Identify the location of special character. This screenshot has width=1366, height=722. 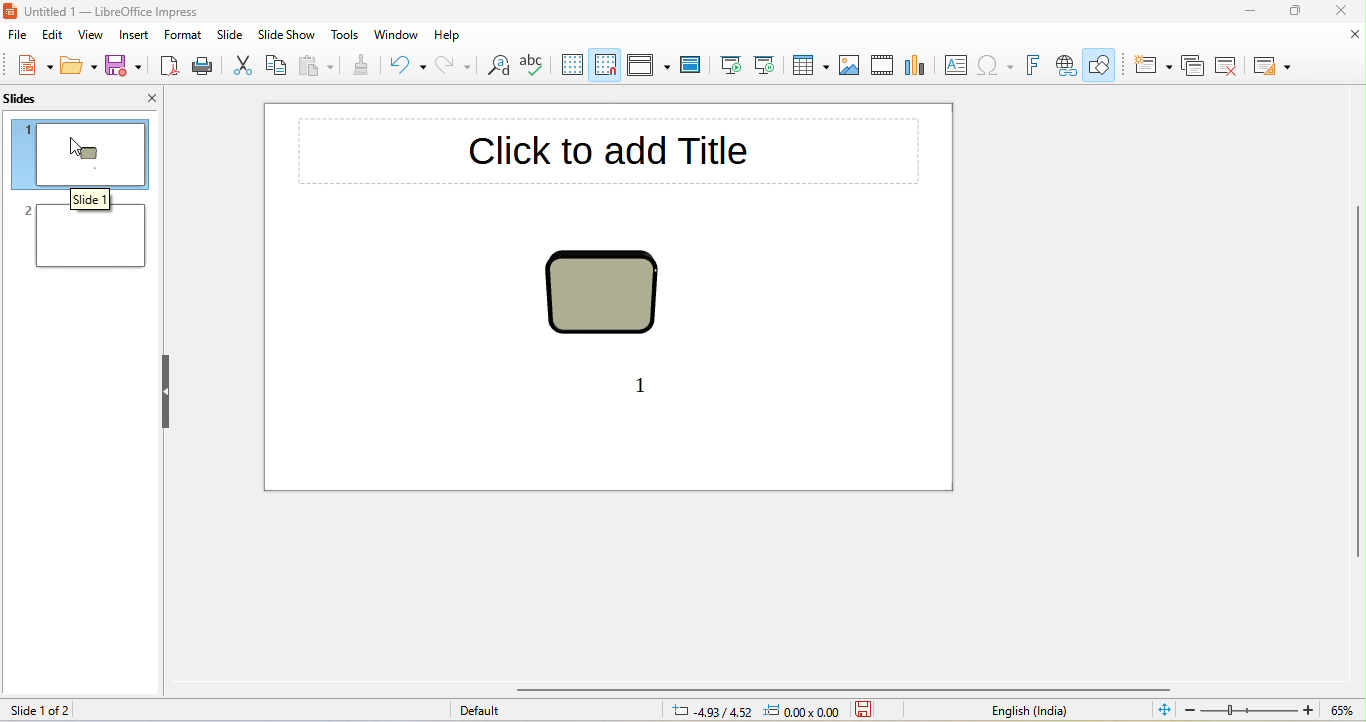
(993, 66).